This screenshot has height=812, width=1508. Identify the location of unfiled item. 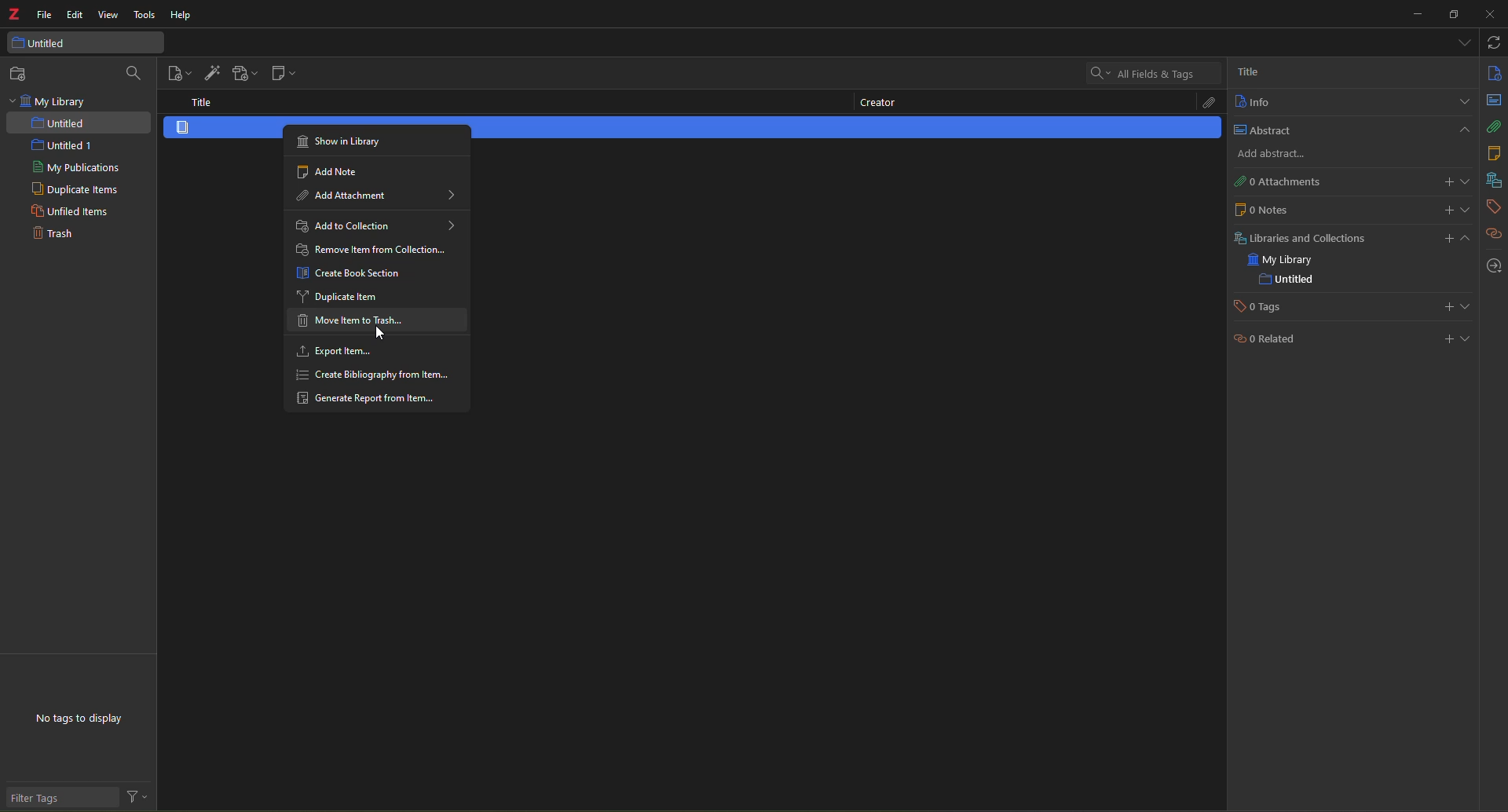
(68, 213).